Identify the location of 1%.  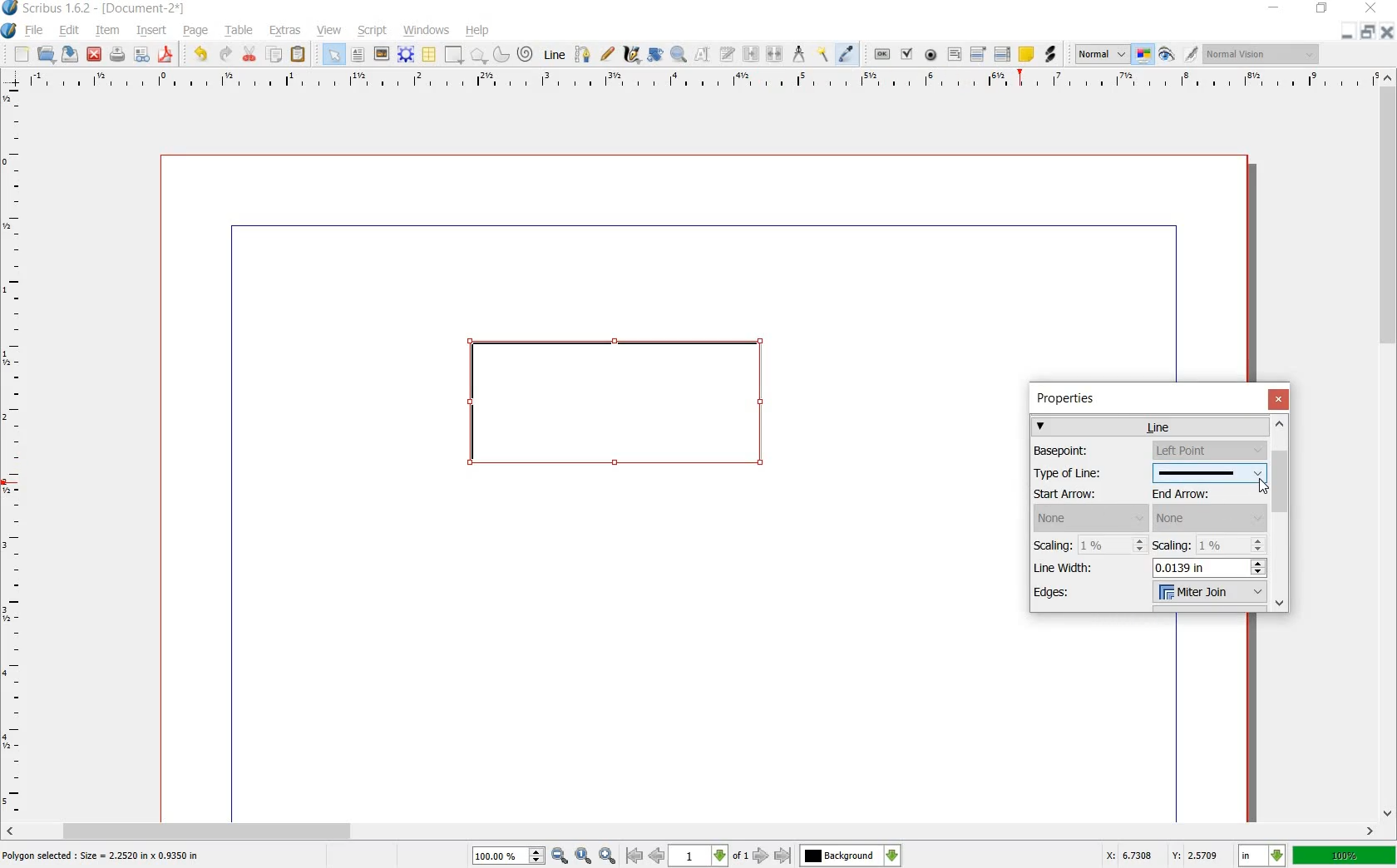
(1114, 545).